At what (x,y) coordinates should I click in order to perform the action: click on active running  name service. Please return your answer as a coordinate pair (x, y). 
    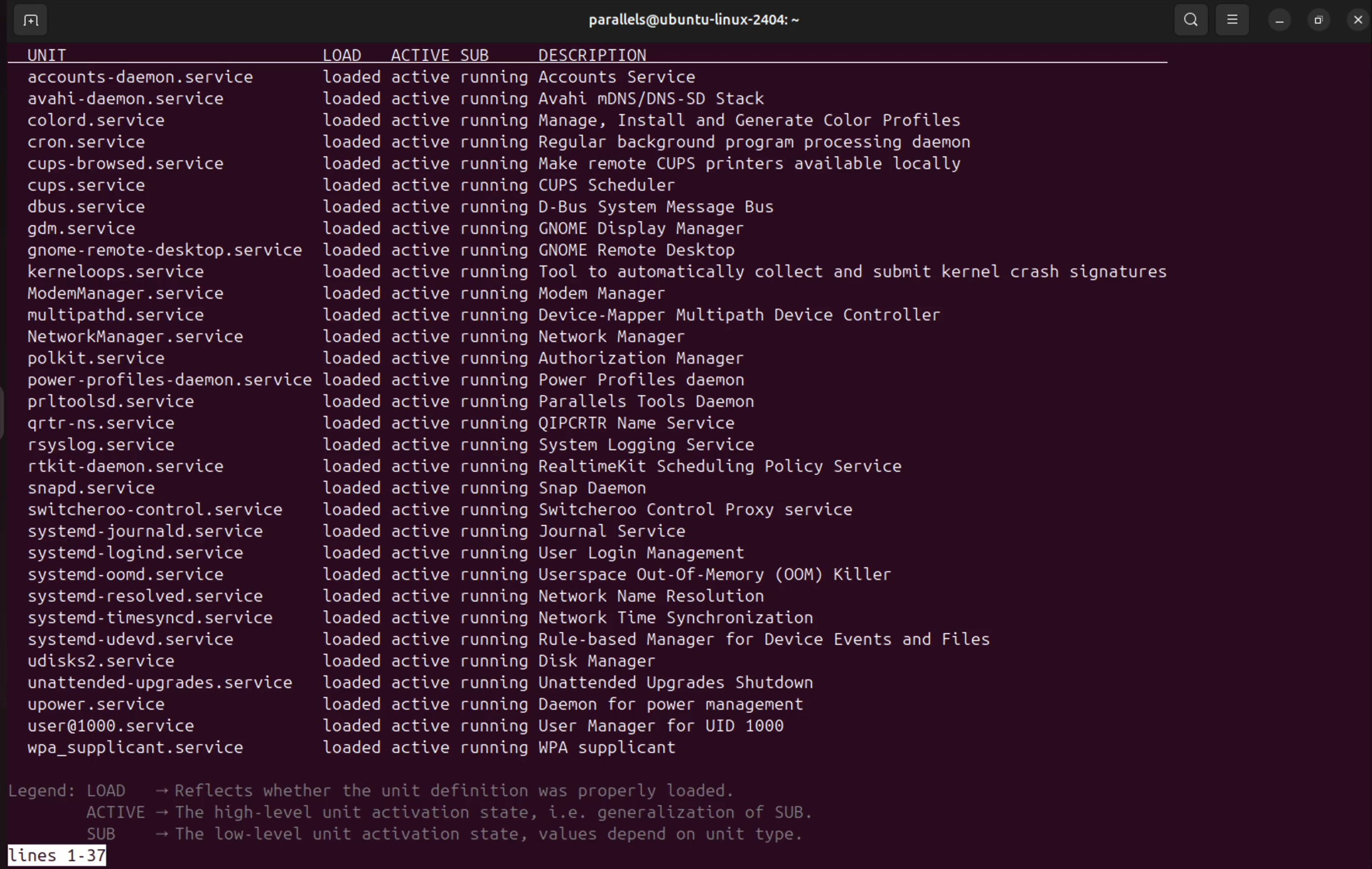
    Looking at the image, I should click on (567, 425).